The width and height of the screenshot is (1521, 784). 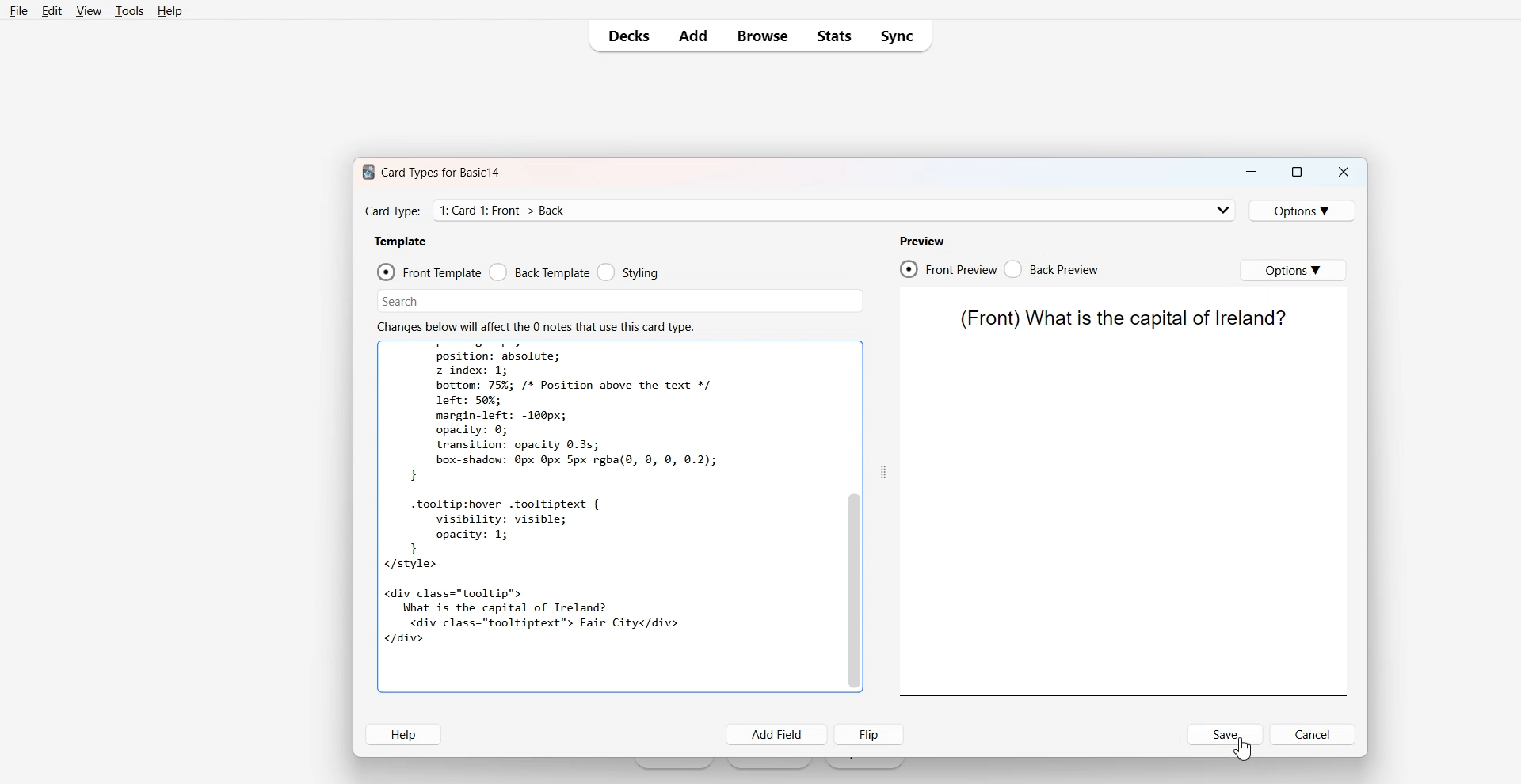 I want to click on Front Preview, so click(x=948, y=268).